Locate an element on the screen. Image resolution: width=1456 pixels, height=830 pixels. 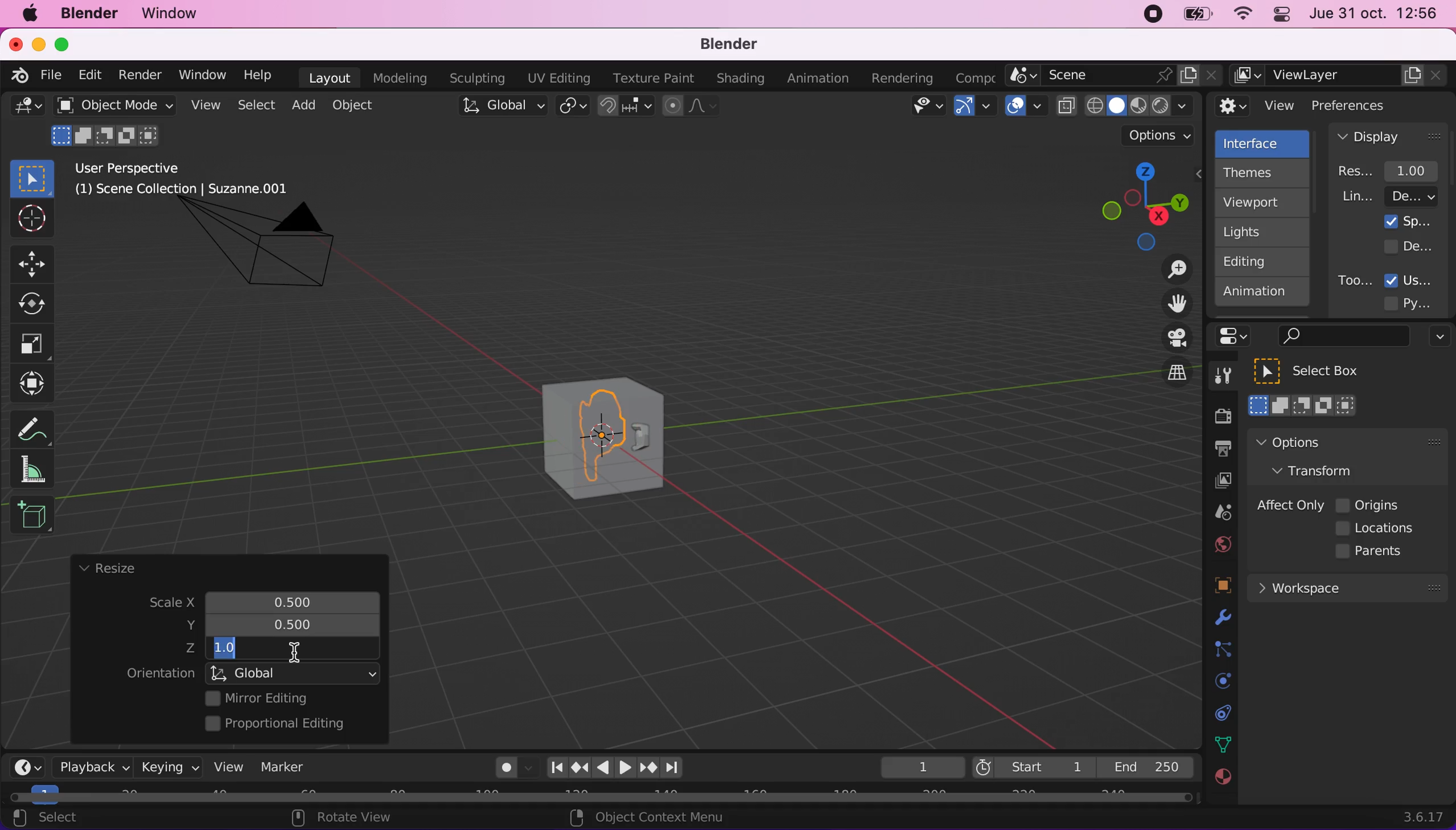
mirror editing is located at coordinates (289, 698).